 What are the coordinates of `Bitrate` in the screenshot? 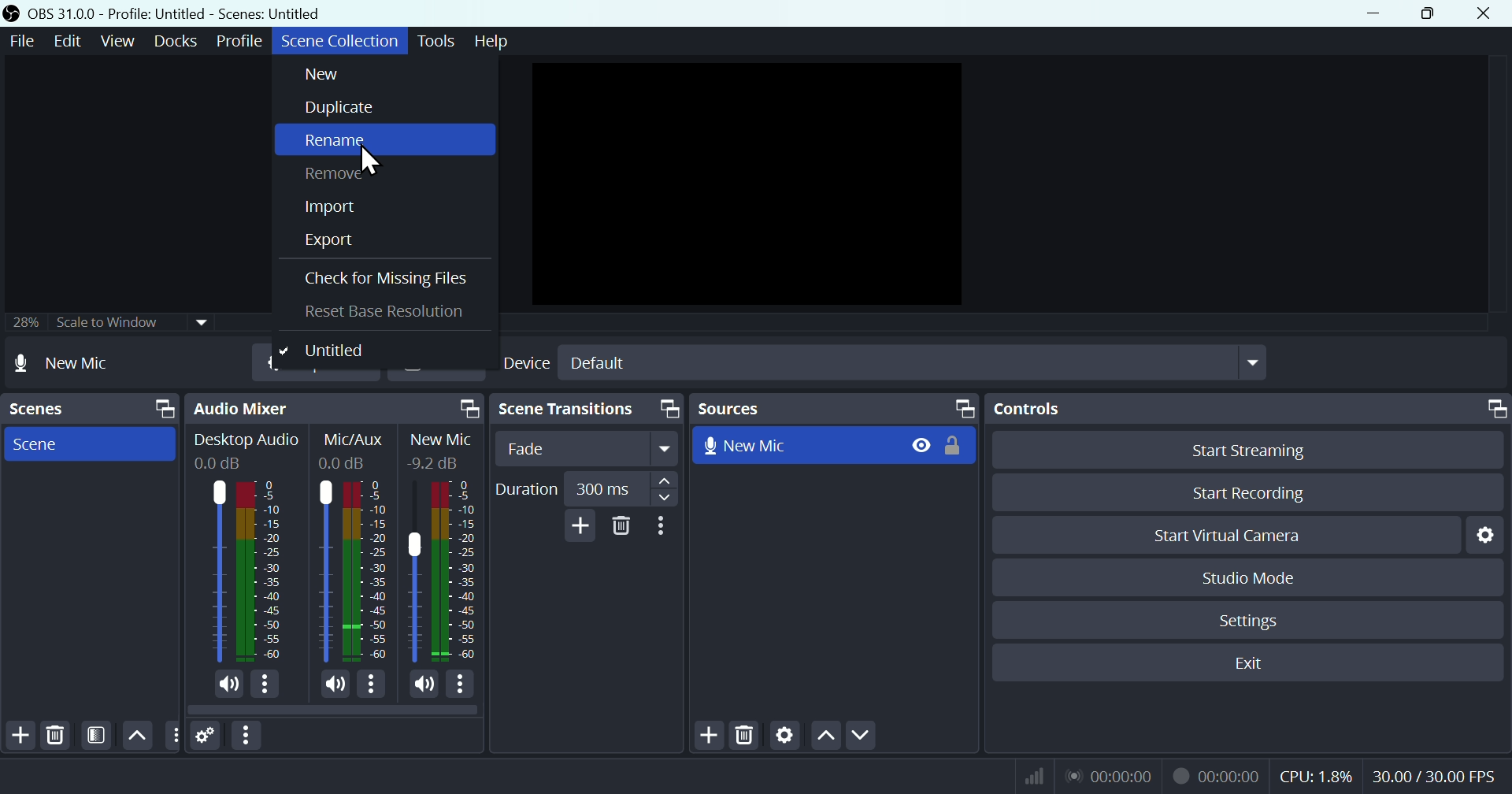 It's located at (1036, 774).